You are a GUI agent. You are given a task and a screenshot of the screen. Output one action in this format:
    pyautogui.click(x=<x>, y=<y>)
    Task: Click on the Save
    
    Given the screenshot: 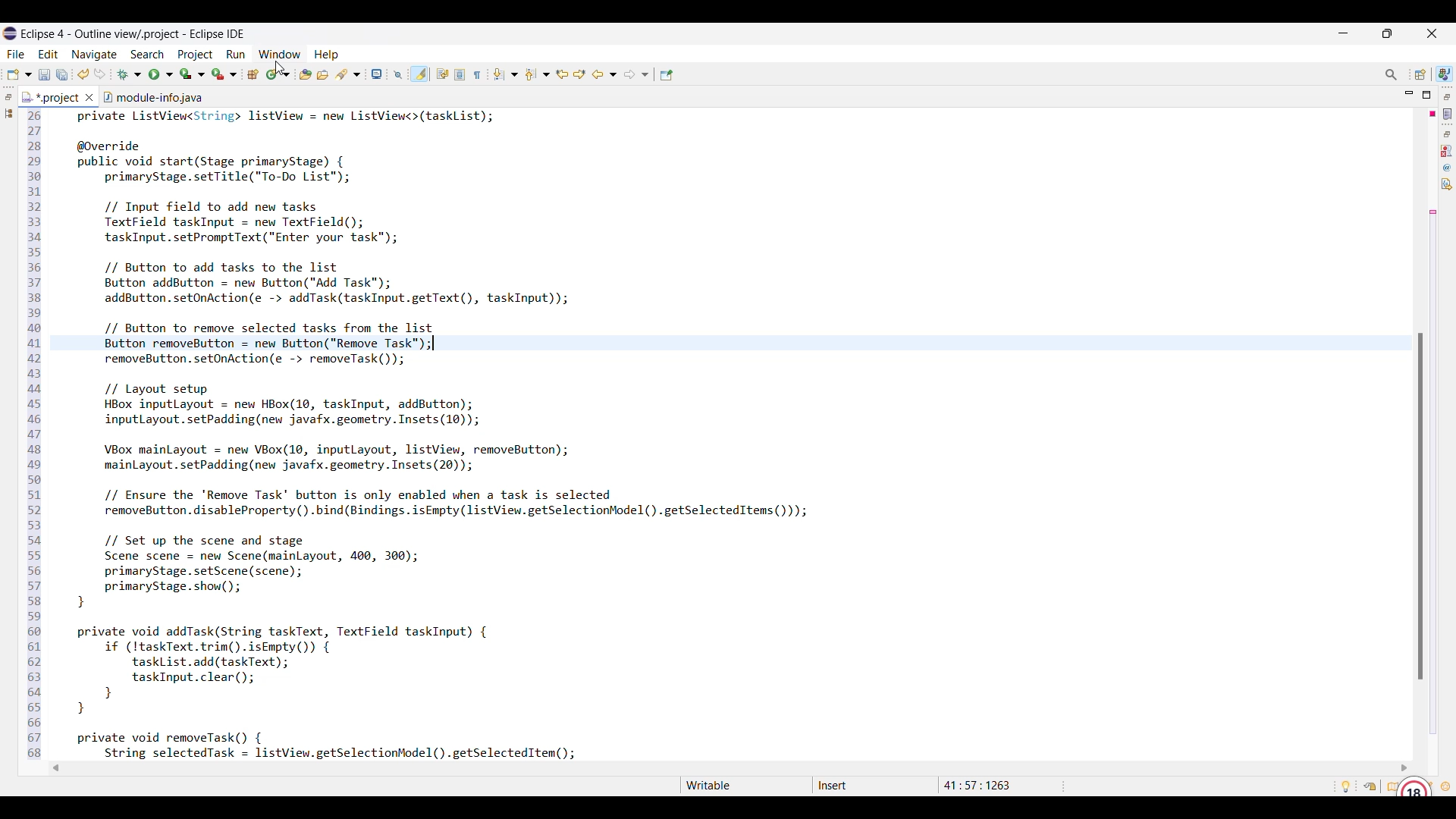 What is the action you would take?
    pyautogui.click(x=45, y=75)
    